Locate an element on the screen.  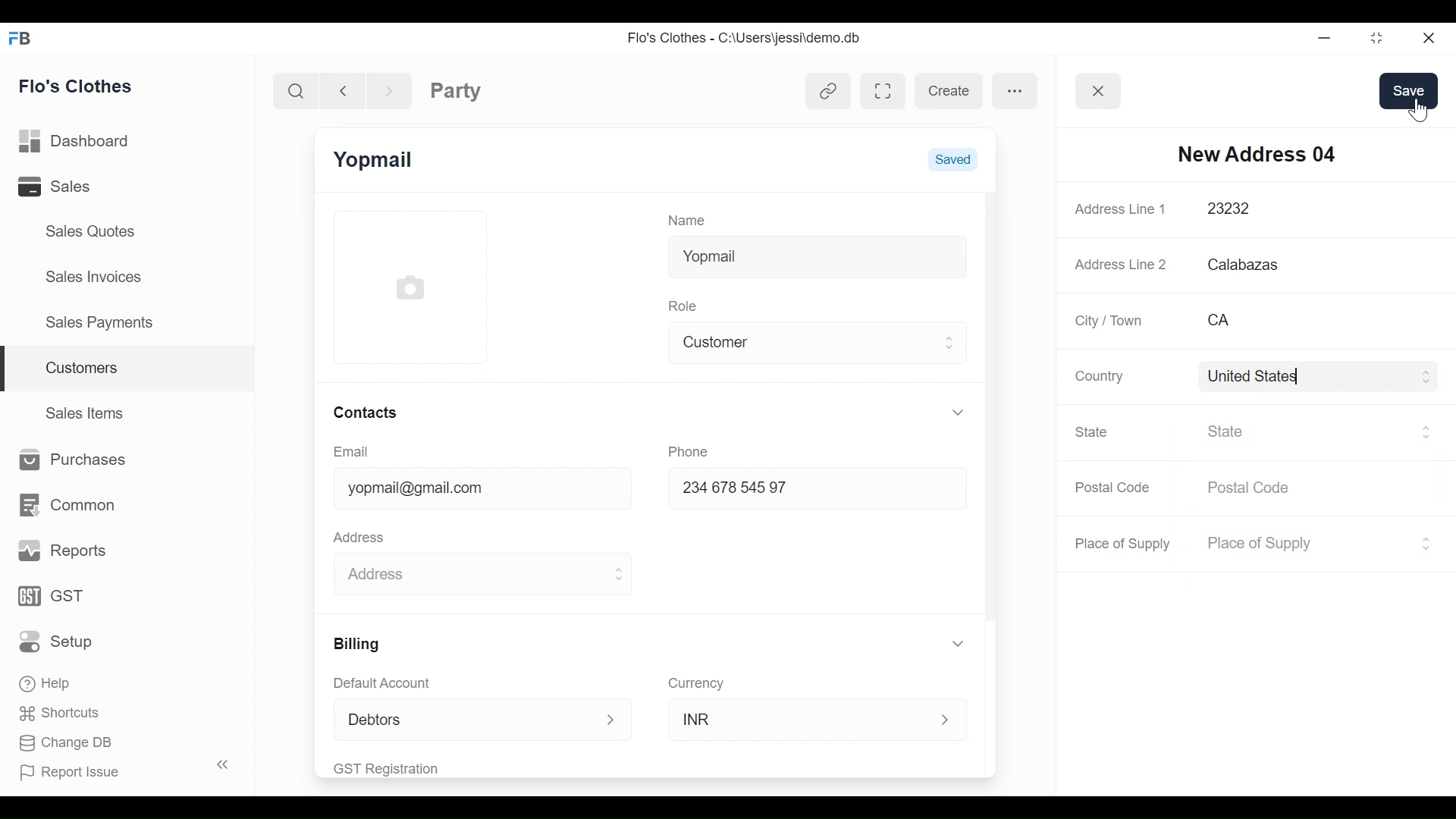
Common is located at coordinates (65, 505).